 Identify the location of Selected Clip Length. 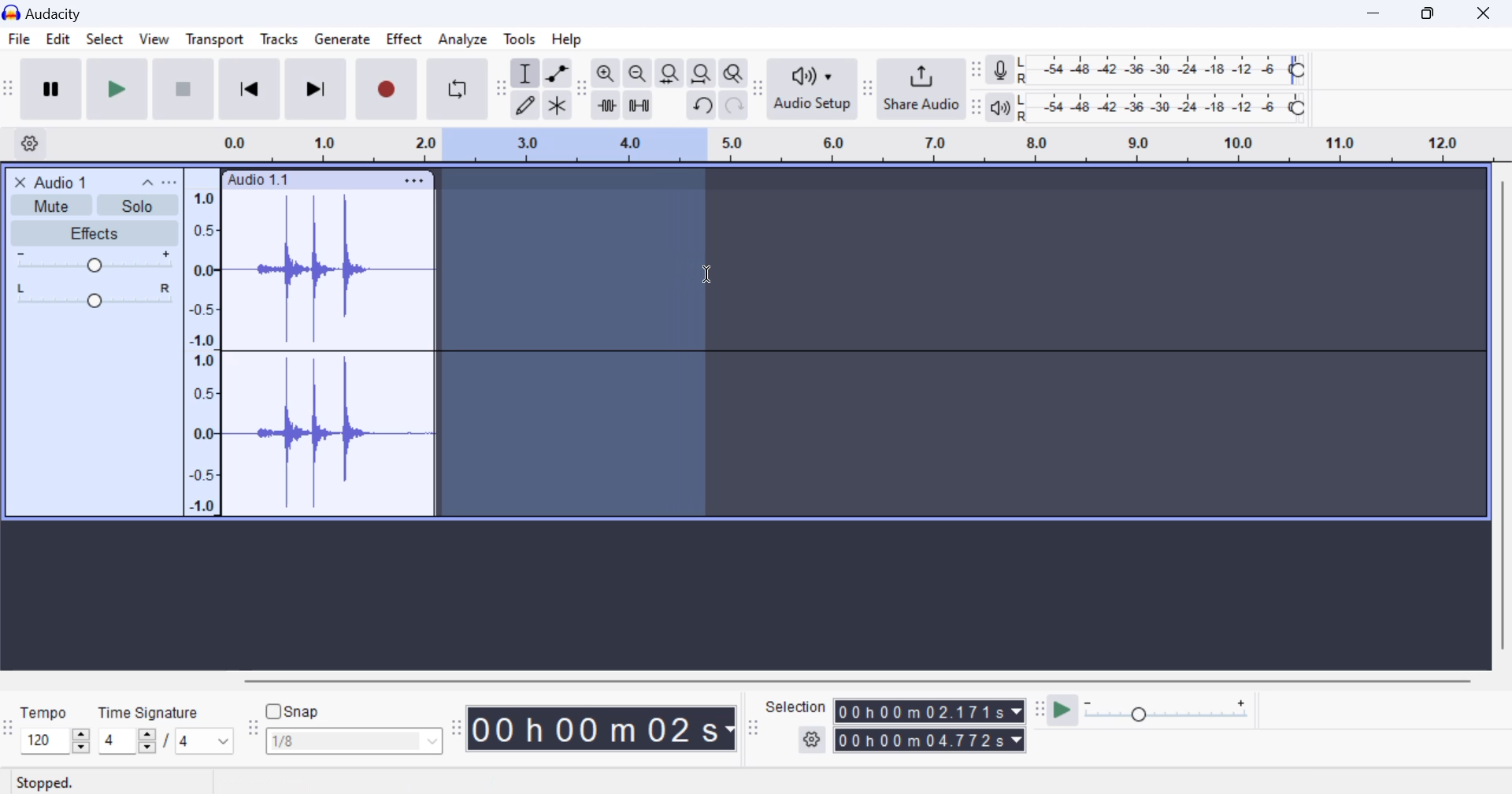
(932, 728).